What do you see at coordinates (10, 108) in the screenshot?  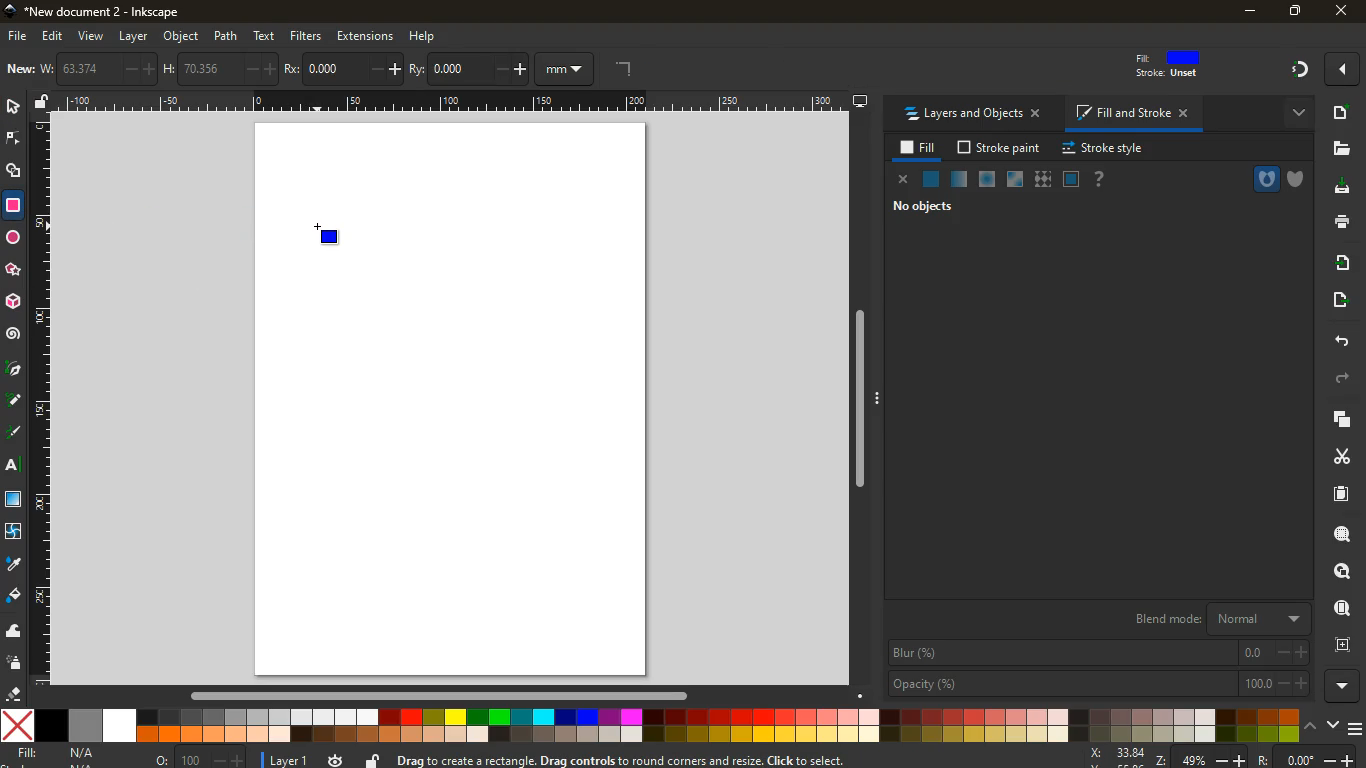 I see `select` at bounding box center [10, 108].